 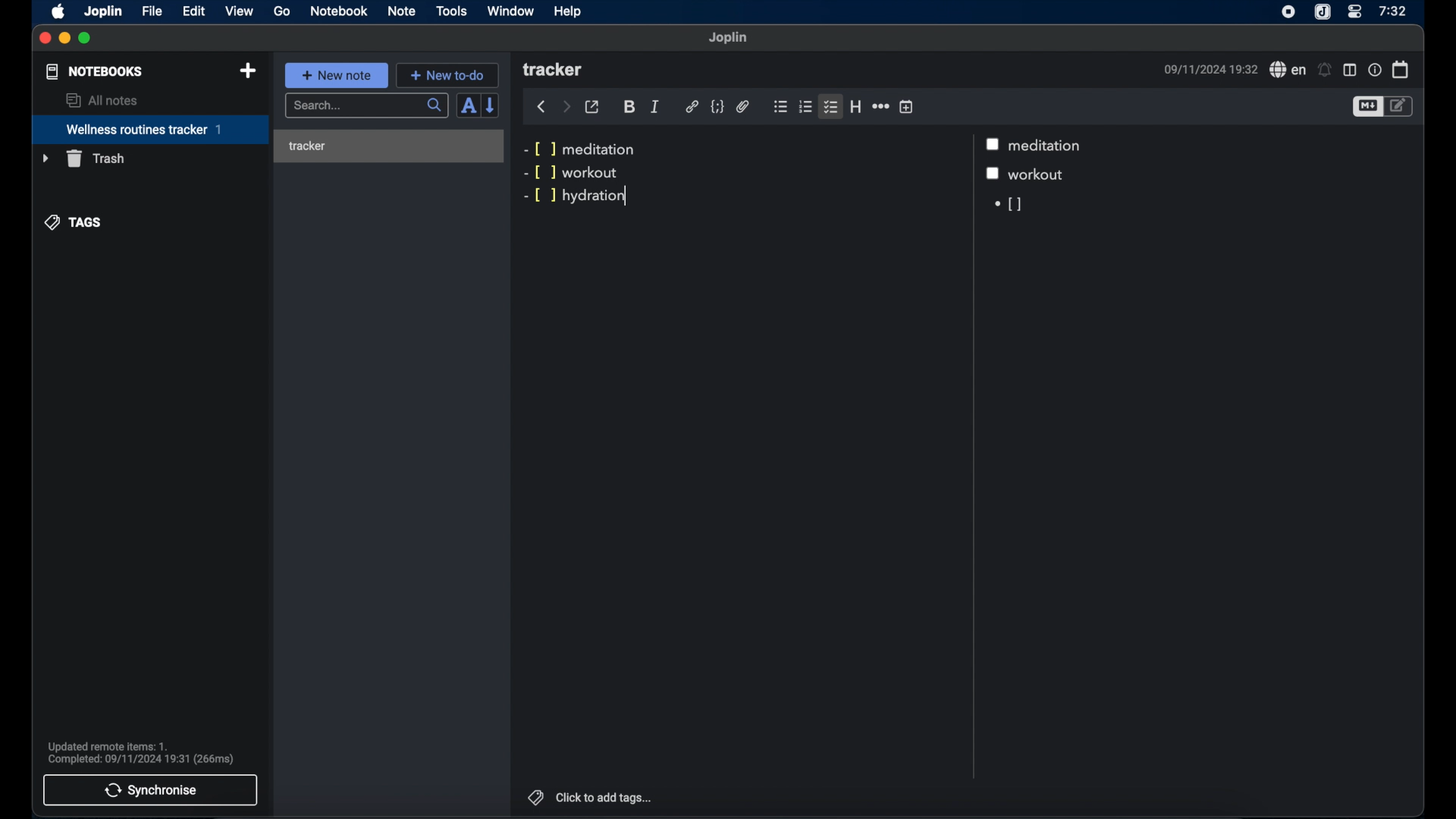 I want to click on workout, so click(x=1041, y=175).